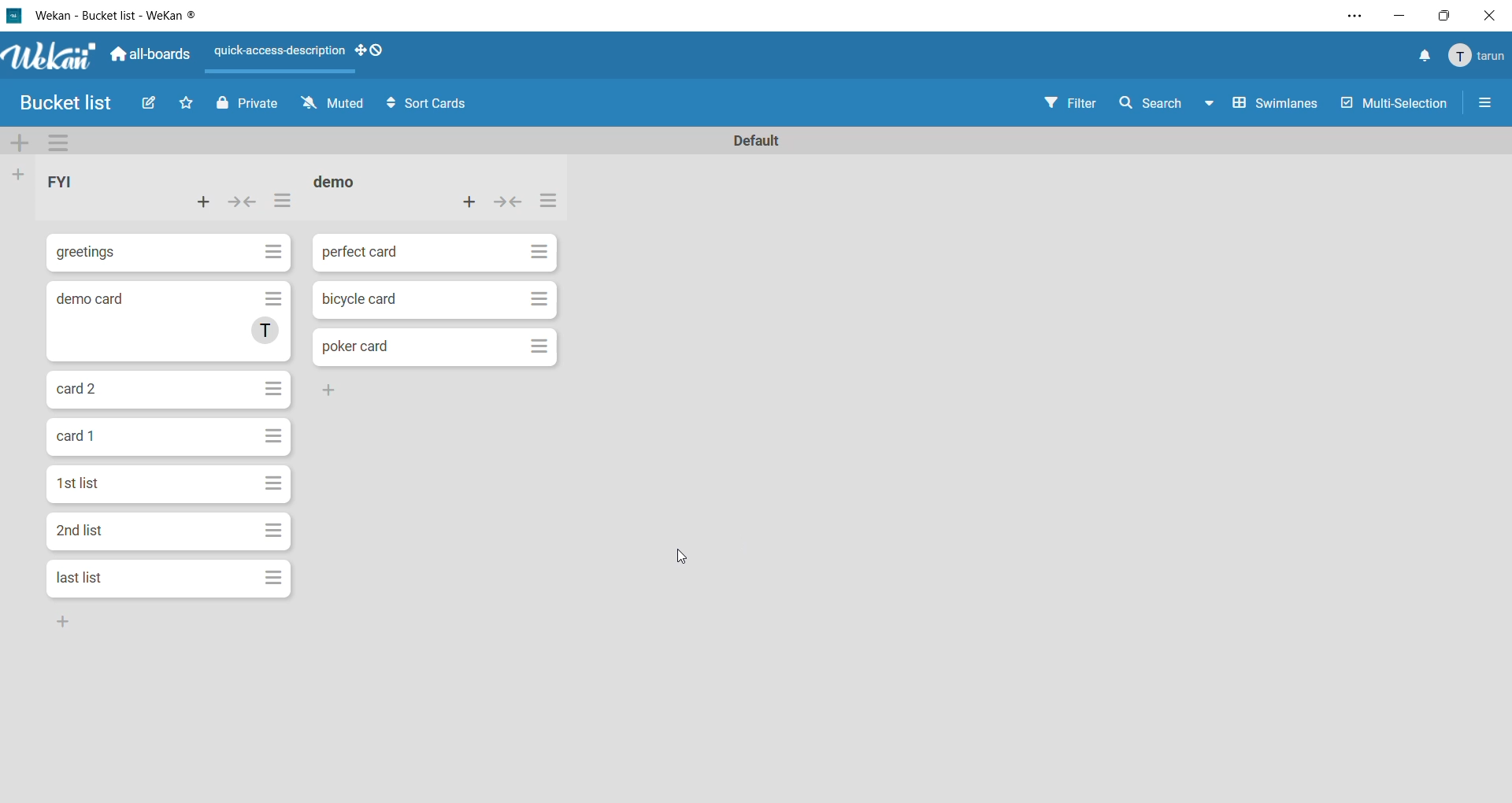  Describe the element at coordinates (66, 103) in the screenshot. I see `bucket list` at that location.